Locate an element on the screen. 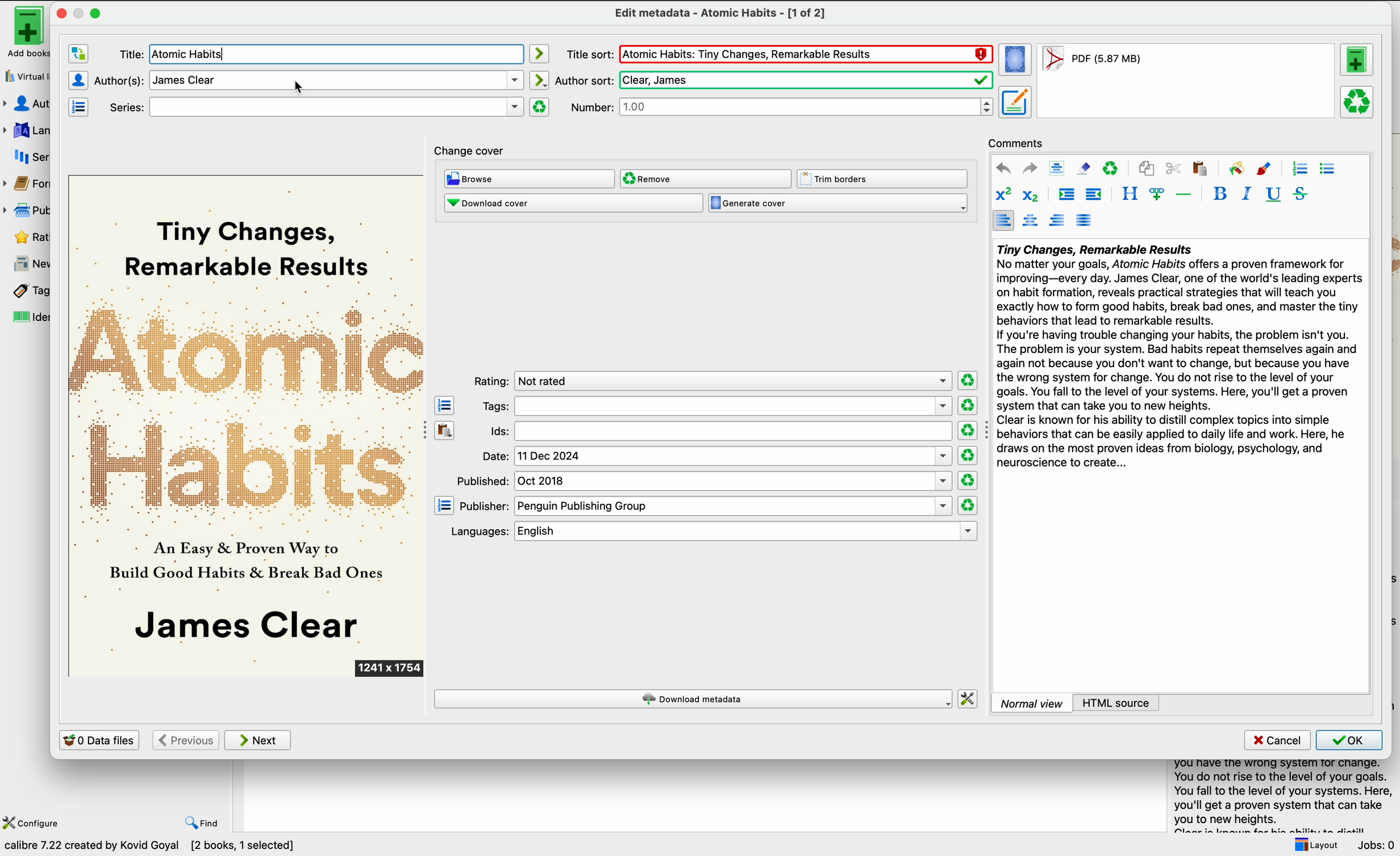  download metadata is located at coordinates (693, 699).